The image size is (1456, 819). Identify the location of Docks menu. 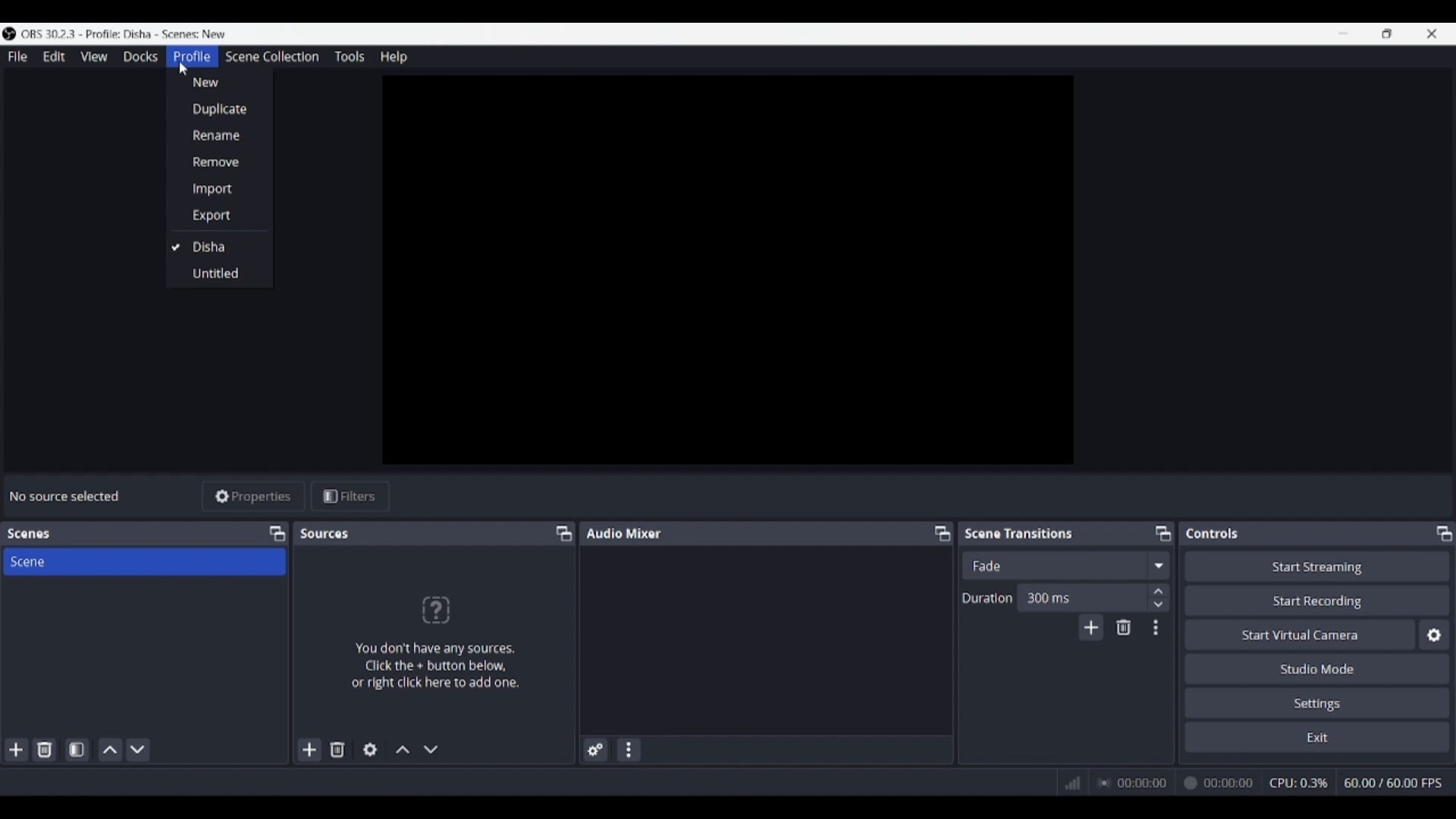
(140, 57).